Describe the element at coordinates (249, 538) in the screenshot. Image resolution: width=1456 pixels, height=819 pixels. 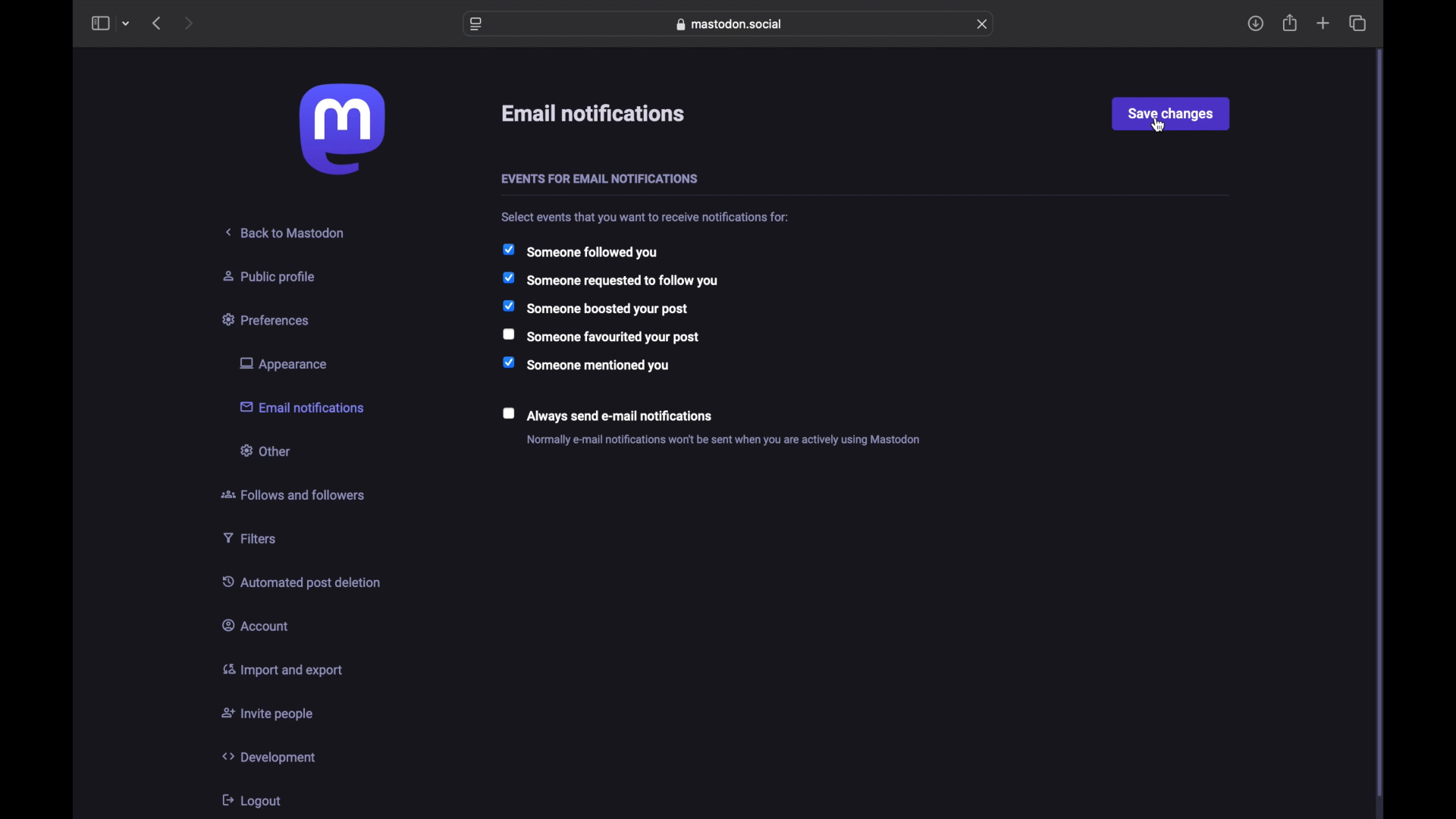
I see `filters` at that location.